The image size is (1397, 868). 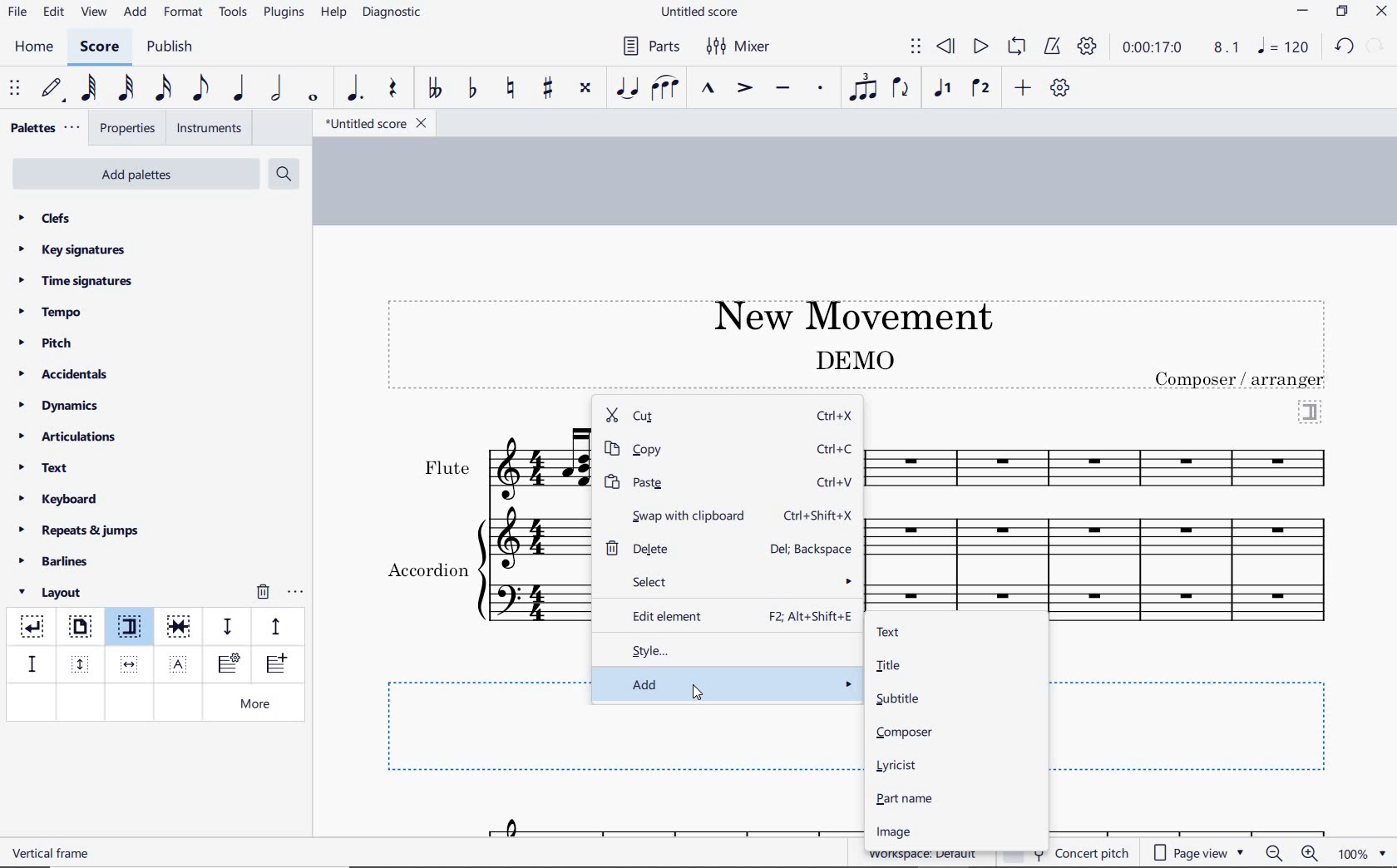 I want to click on select to move, so click(x=916, y=47).